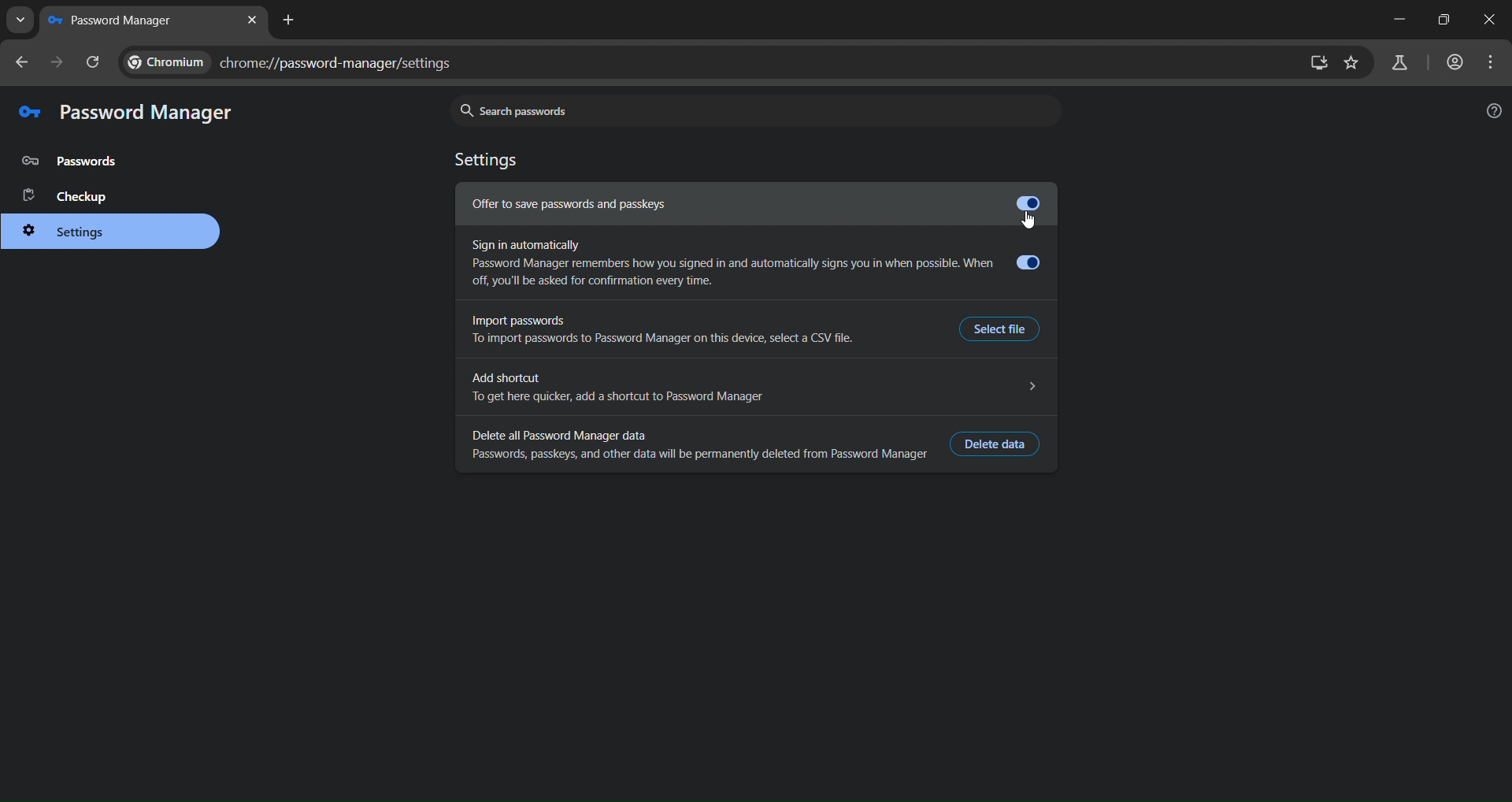  I want to click on Add shortcut >
To get here quicker, add a shortcut to Password Manager, so click(756, 388).